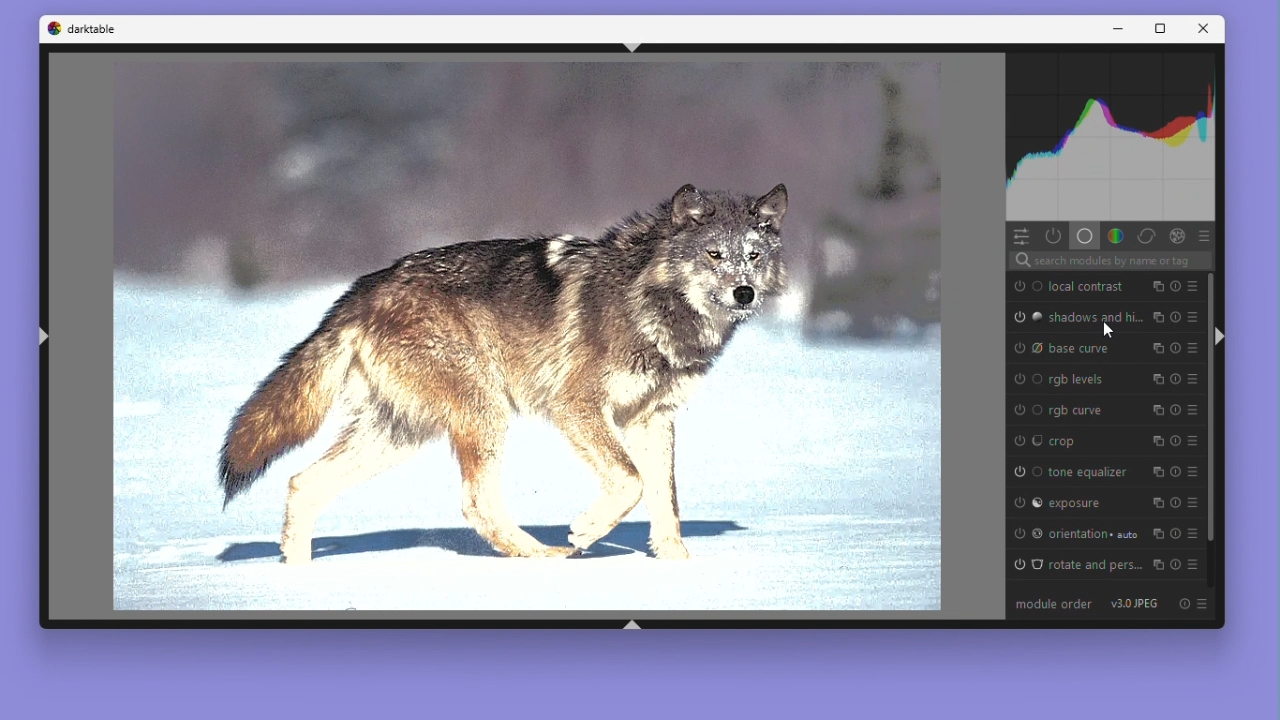  What do you see at coordinates (1202, 30) in the screenshot?
I see `Close` at bounding box center [1202, 30].